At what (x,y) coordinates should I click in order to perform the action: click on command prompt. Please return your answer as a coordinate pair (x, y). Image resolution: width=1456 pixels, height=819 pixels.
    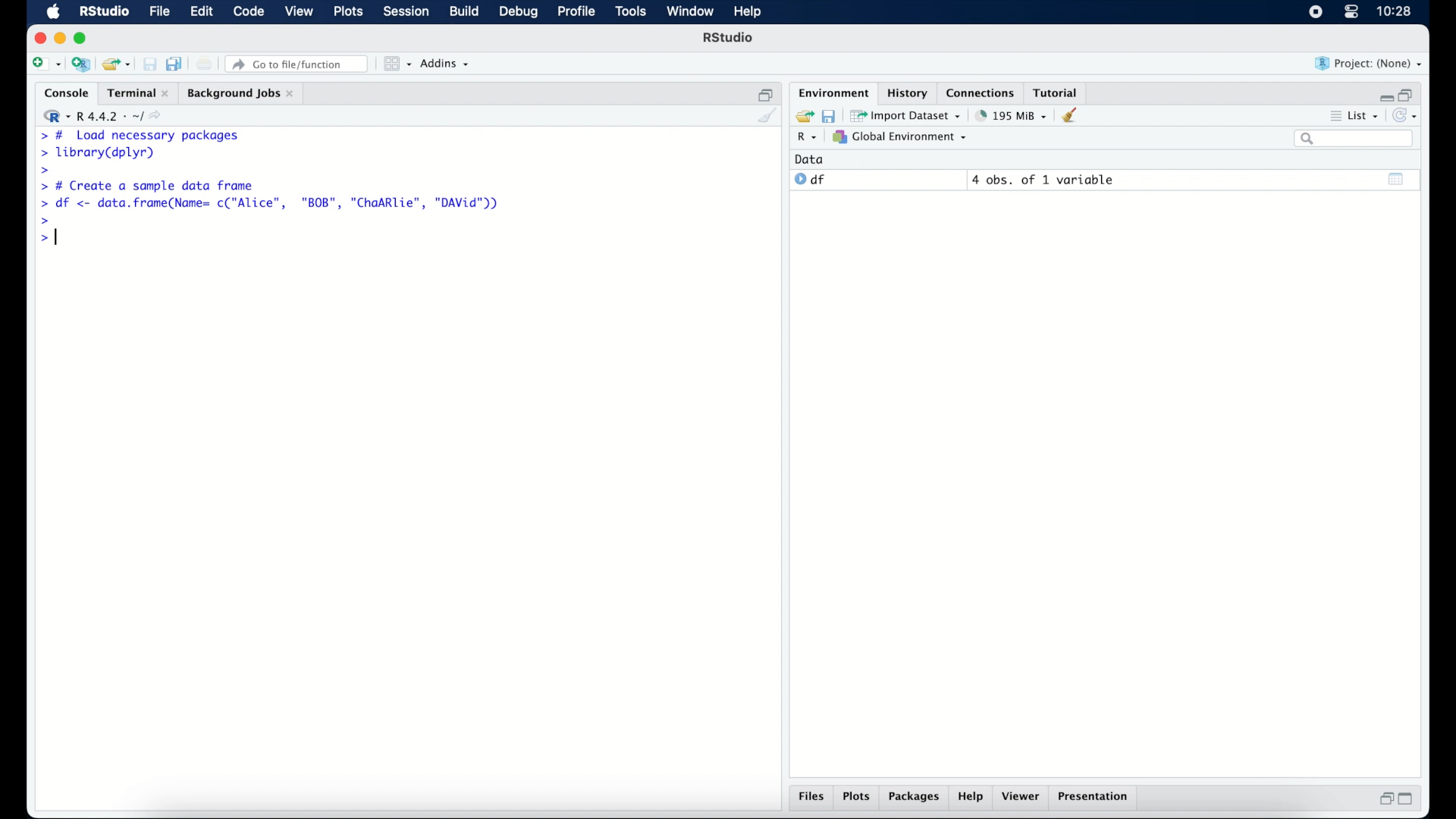
    Looking at the image, I should click on (45, 220).